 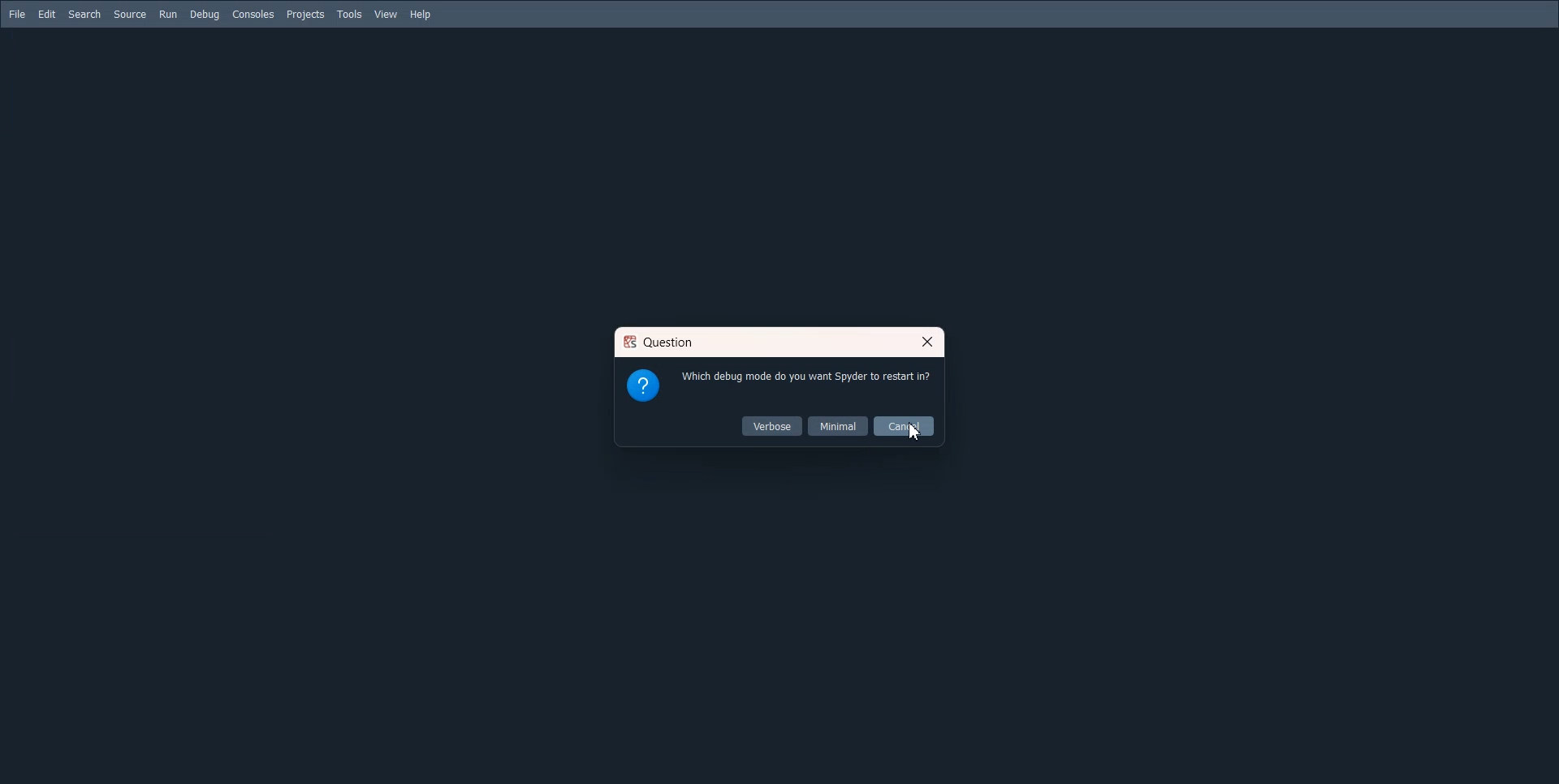 I want to click on Cancel, so click(x=904, y=426).